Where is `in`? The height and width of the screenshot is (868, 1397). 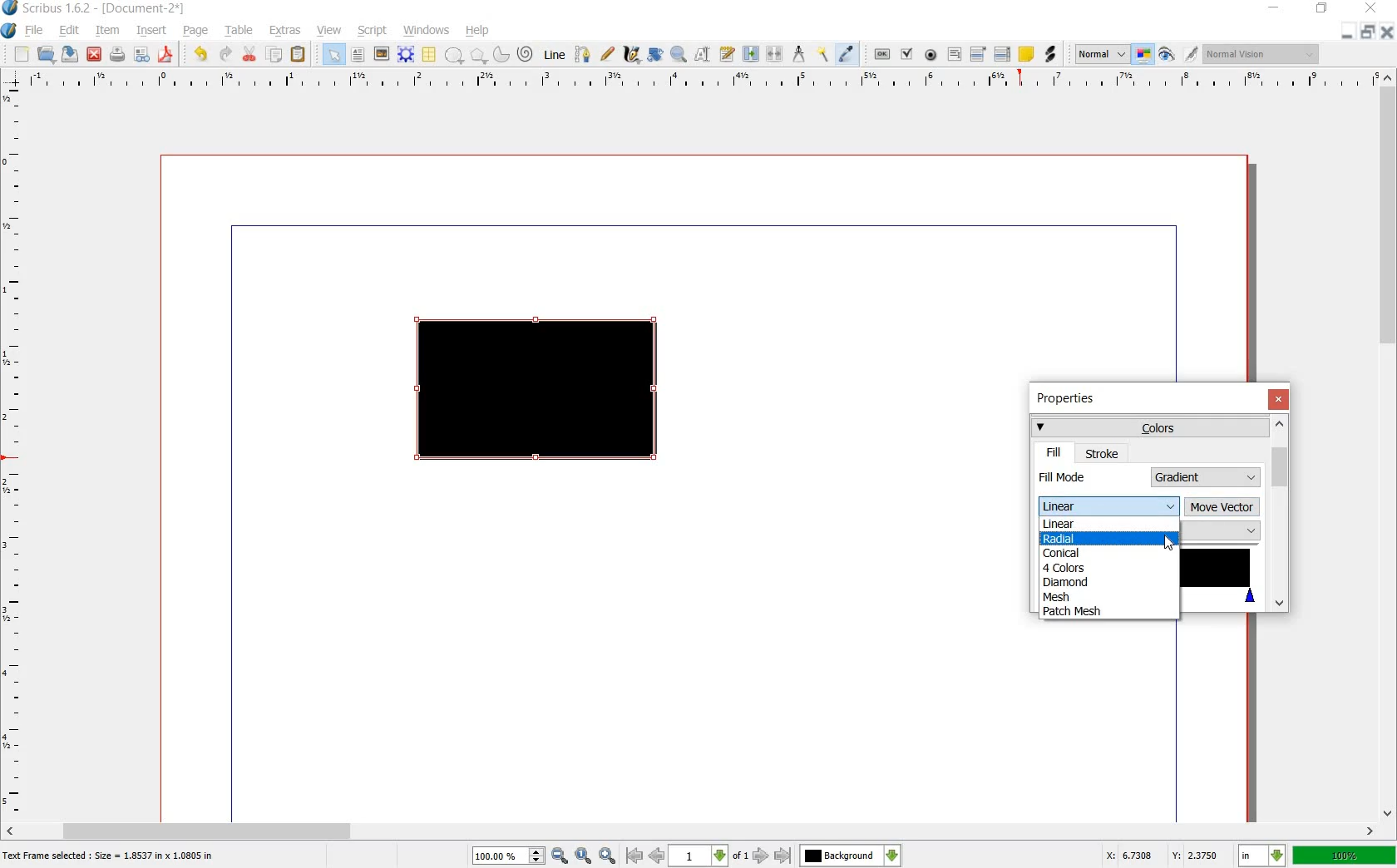 in is located at coordinates (1263, 856).